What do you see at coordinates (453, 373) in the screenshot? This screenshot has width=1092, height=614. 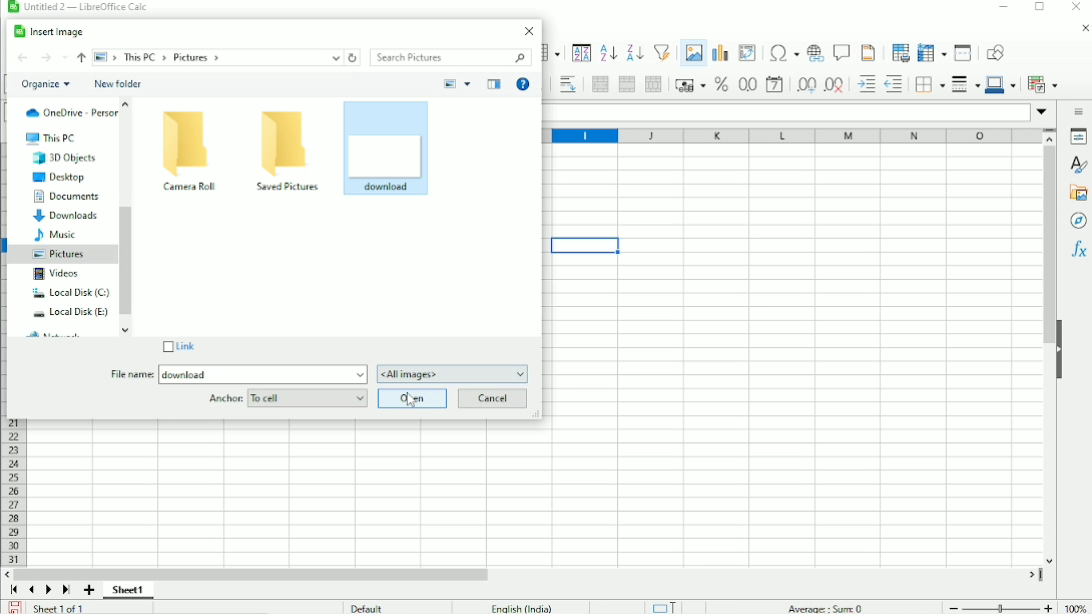 I see `All images` at bounding box center [453, 373].